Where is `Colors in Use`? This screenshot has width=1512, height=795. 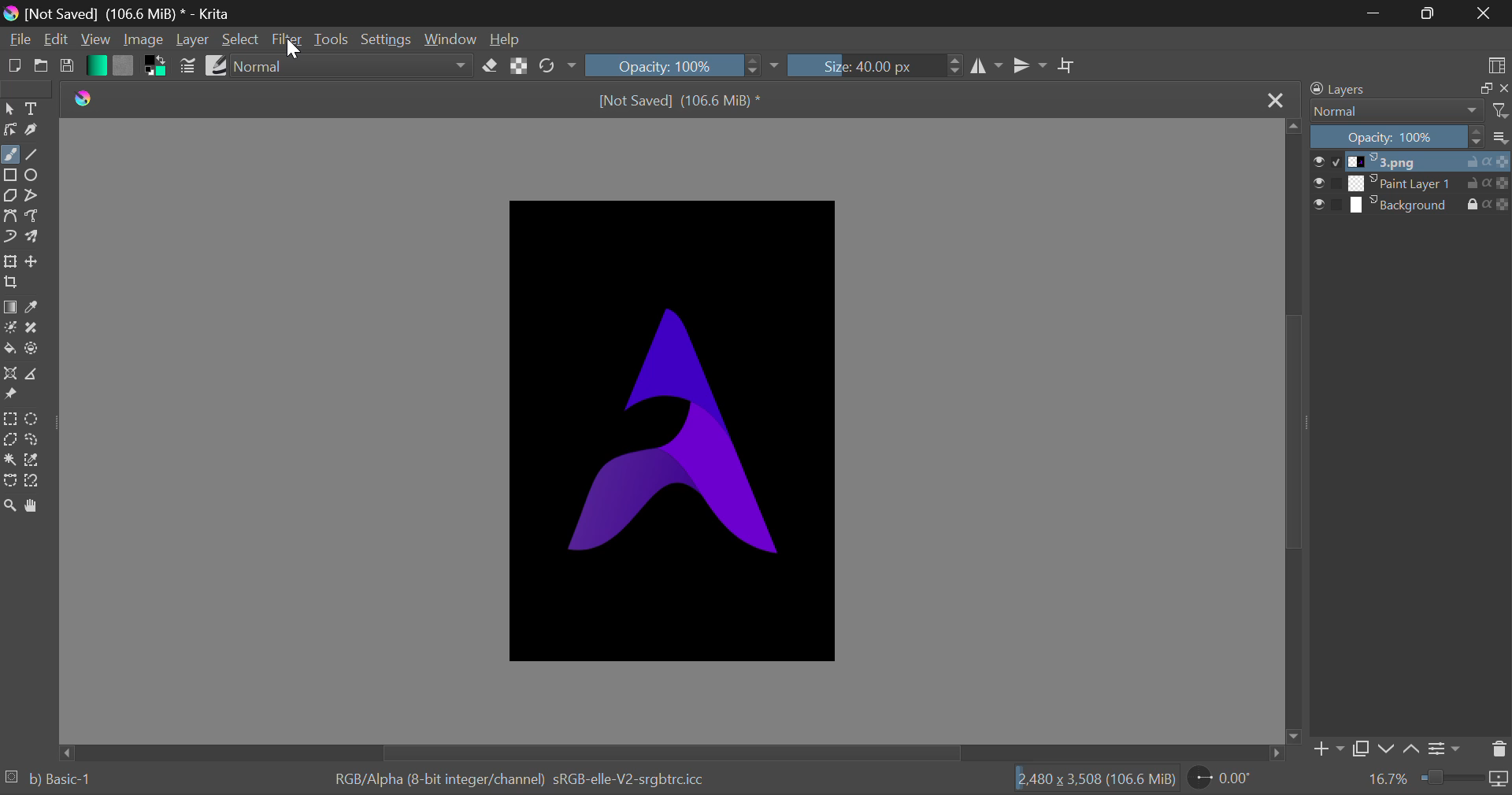
Colors in Use is located at coordinates (156, 65).